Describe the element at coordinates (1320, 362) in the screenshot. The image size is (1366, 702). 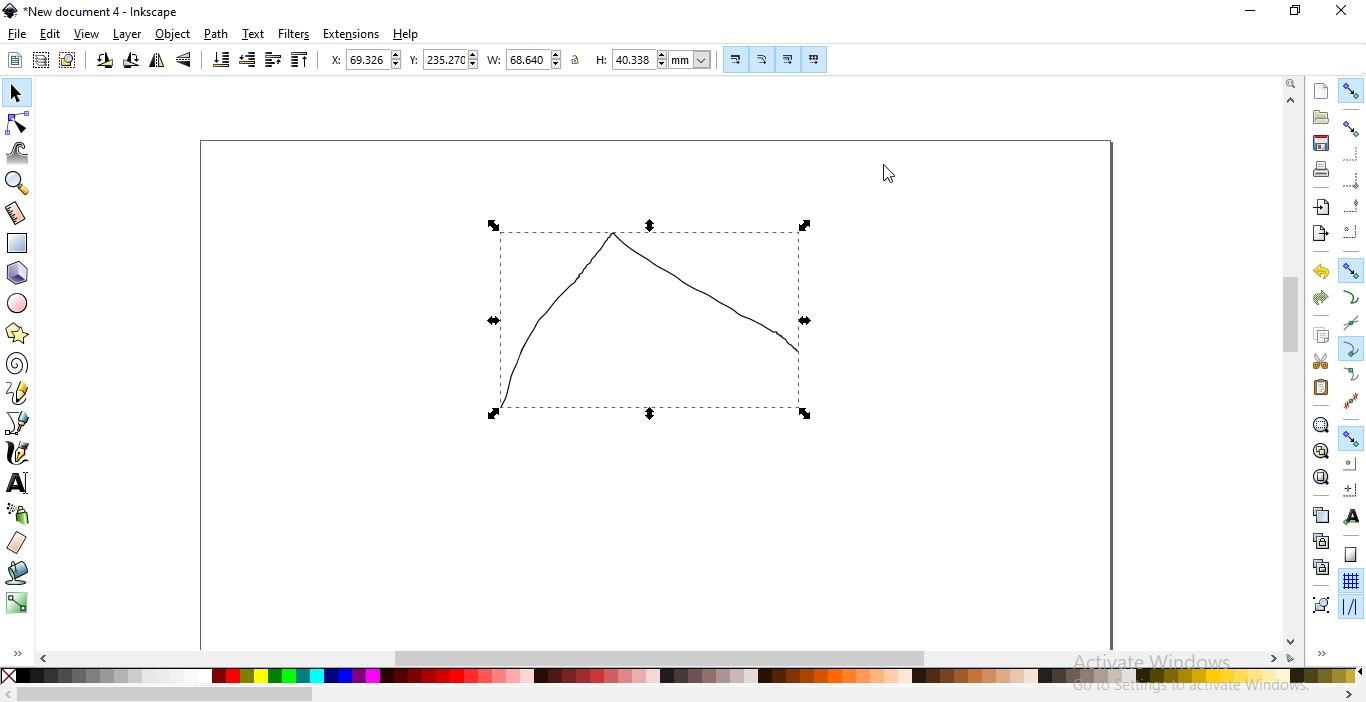
I see `cut` at that location.